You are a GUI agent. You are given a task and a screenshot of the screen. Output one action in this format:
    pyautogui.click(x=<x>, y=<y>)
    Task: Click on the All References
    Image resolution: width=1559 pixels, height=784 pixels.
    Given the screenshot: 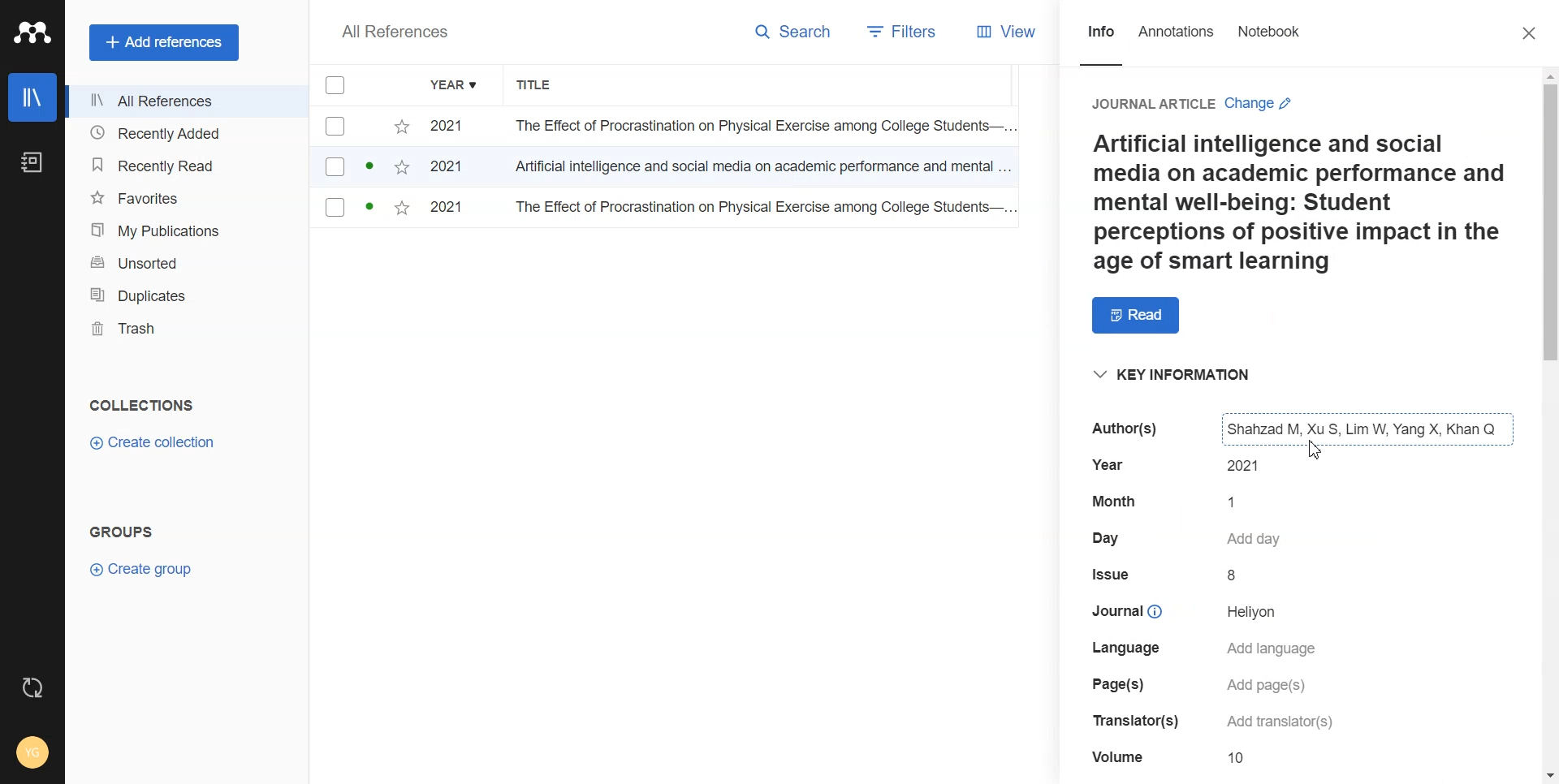 What is the action you would take?
    pyautogui.click(x=186, y=103)
    